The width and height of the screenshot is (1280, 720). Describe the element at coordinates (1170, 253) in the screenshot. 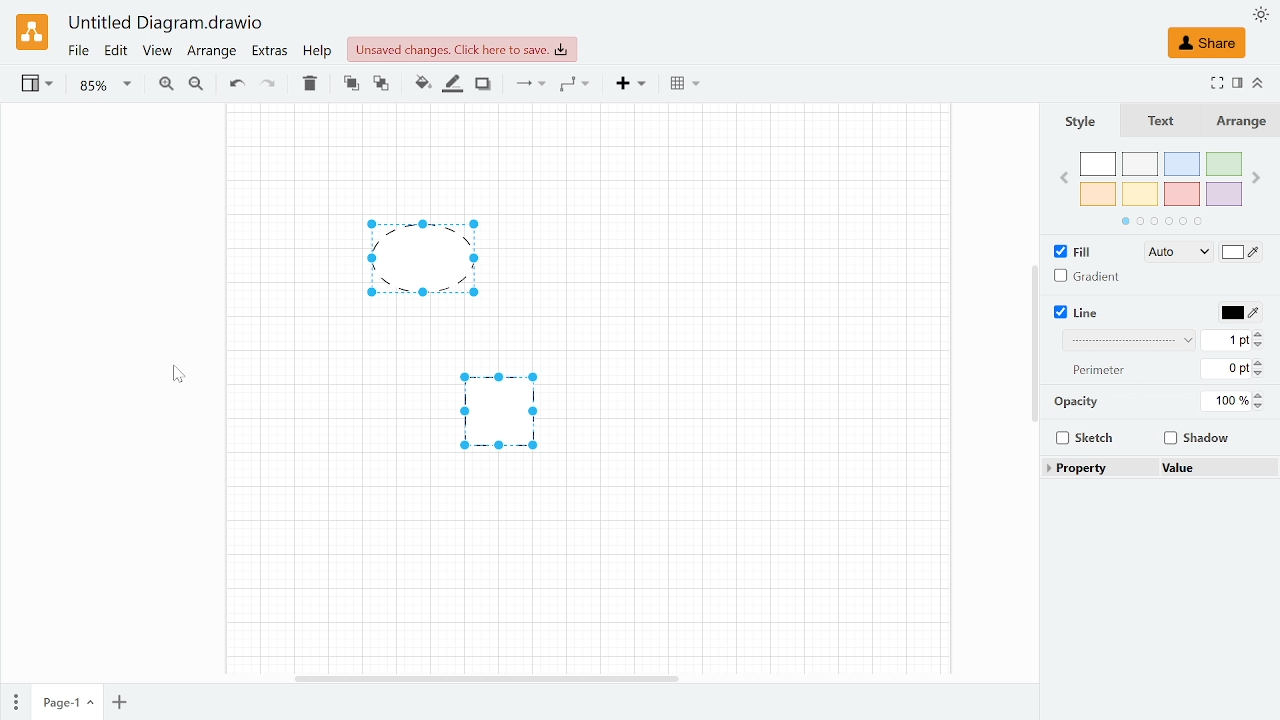

I see `Fill style` at that location.